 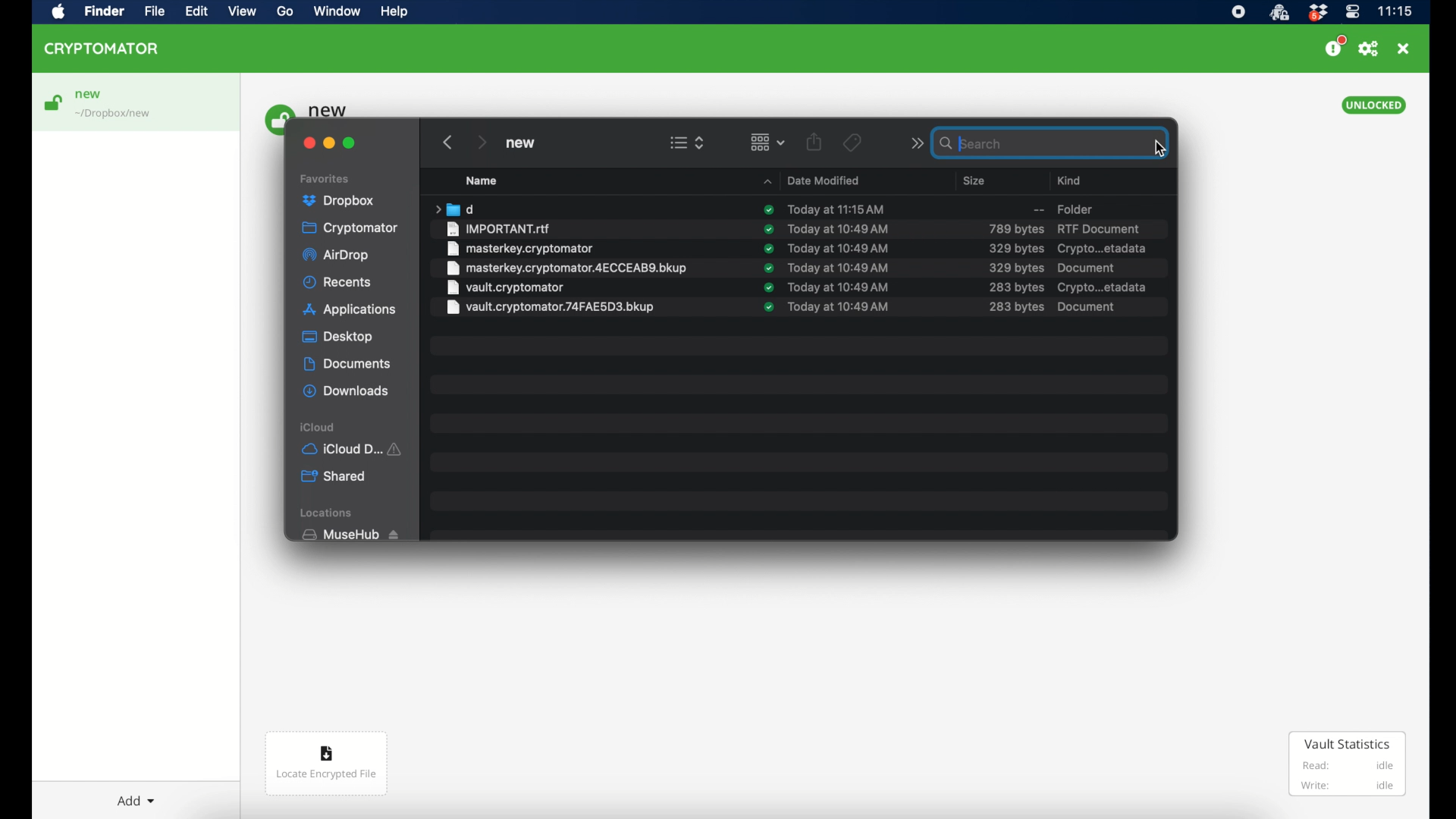 What do you see at coordinates (526, 141) in the screenshot?
I see `new` at bounding box center [526, 141].